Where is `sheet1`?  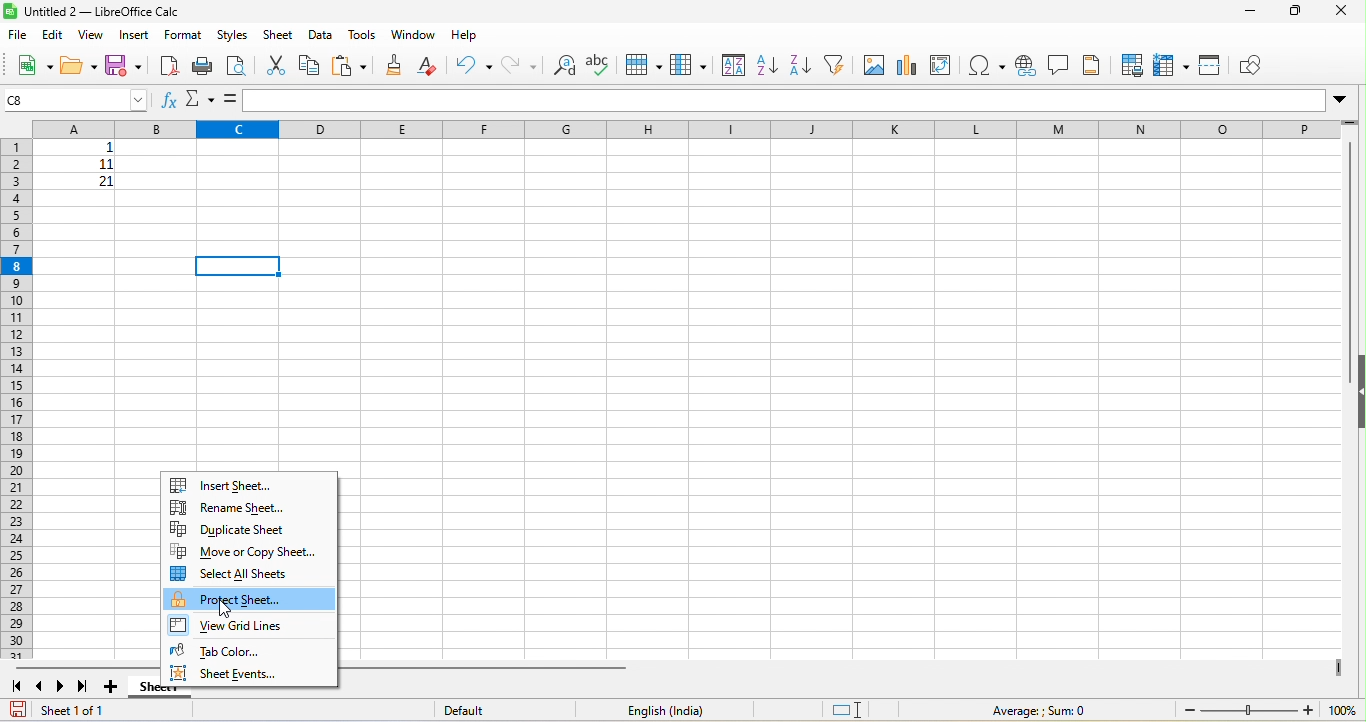 sheet1 is located at coordinates (147, 687).